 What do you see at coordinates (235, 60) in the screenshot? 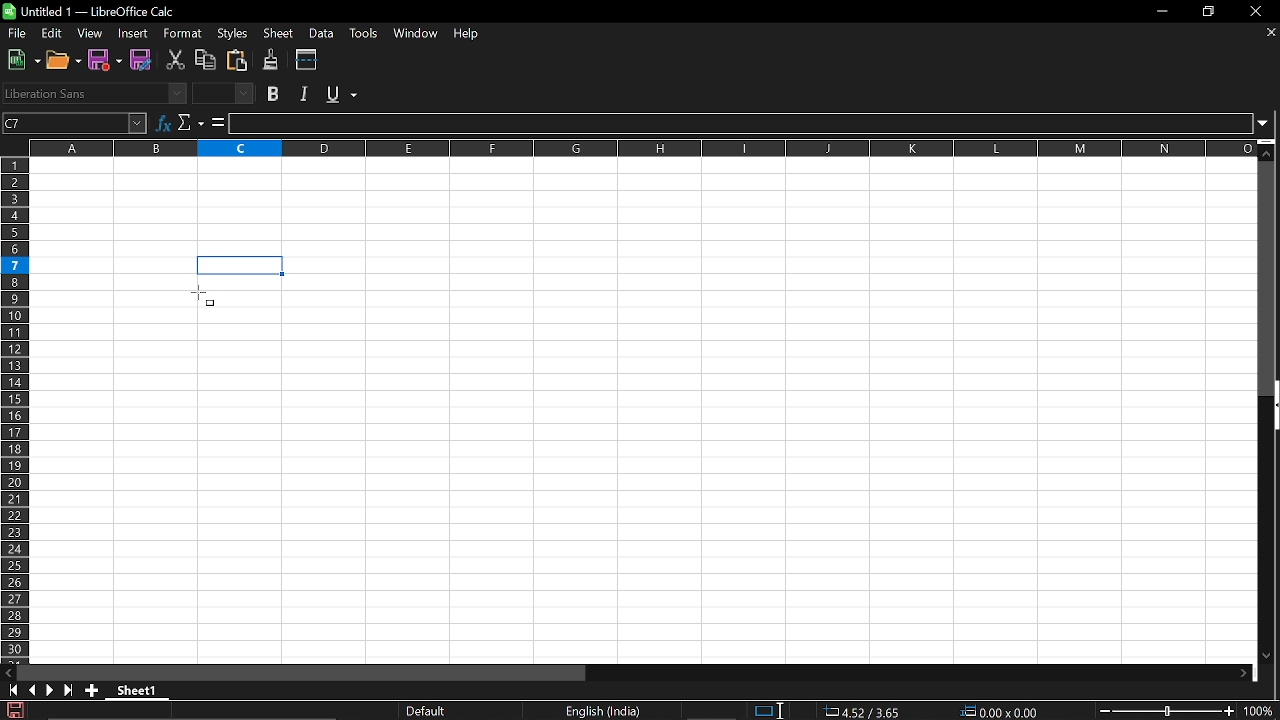
I see `Paste` at bounding box center [235, 60].